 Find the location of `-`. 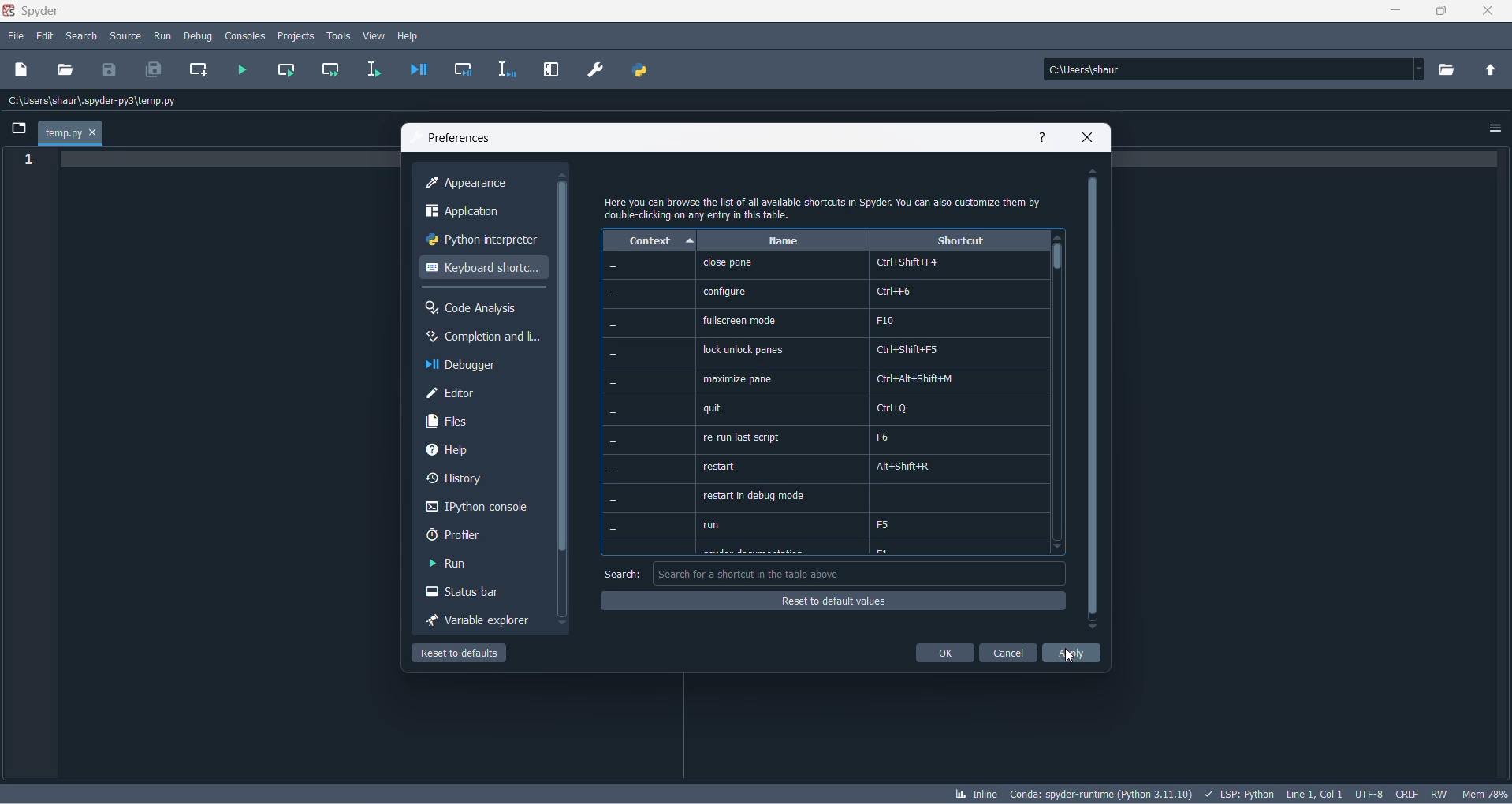

- is located at coordinates (615, 529).